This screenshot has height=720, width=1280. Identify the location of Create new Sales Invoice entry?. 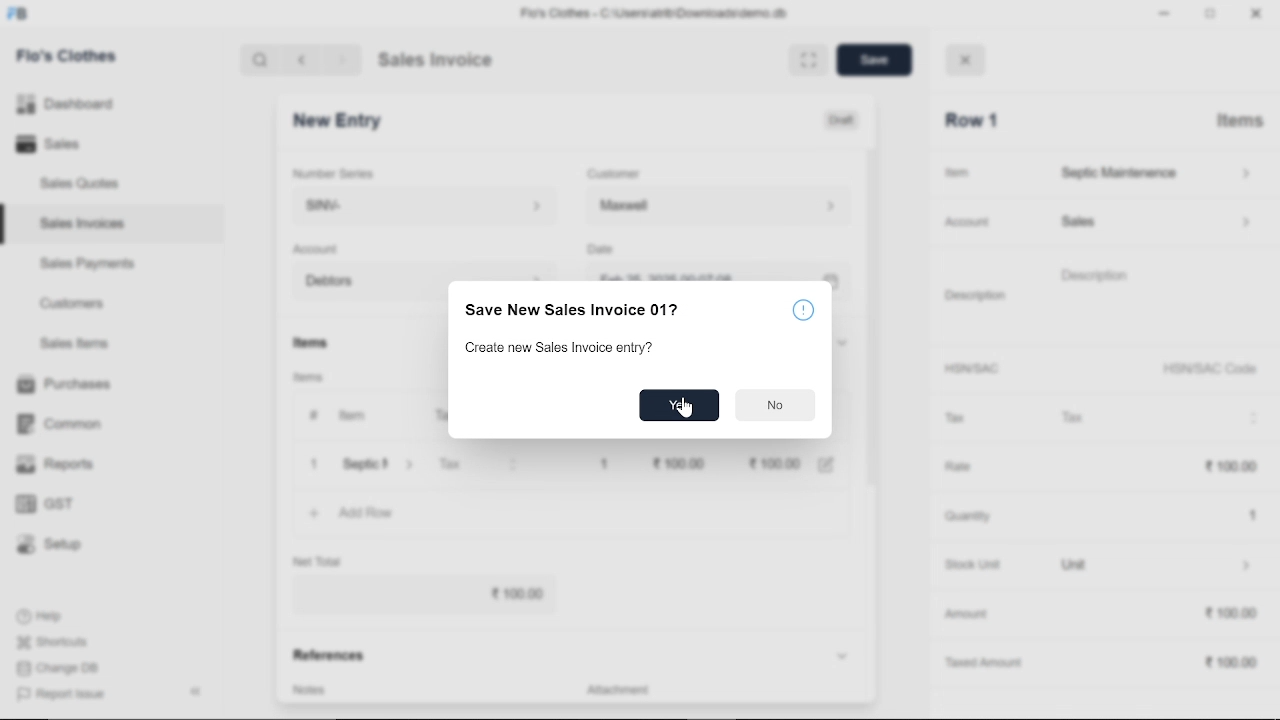
(562, 350).